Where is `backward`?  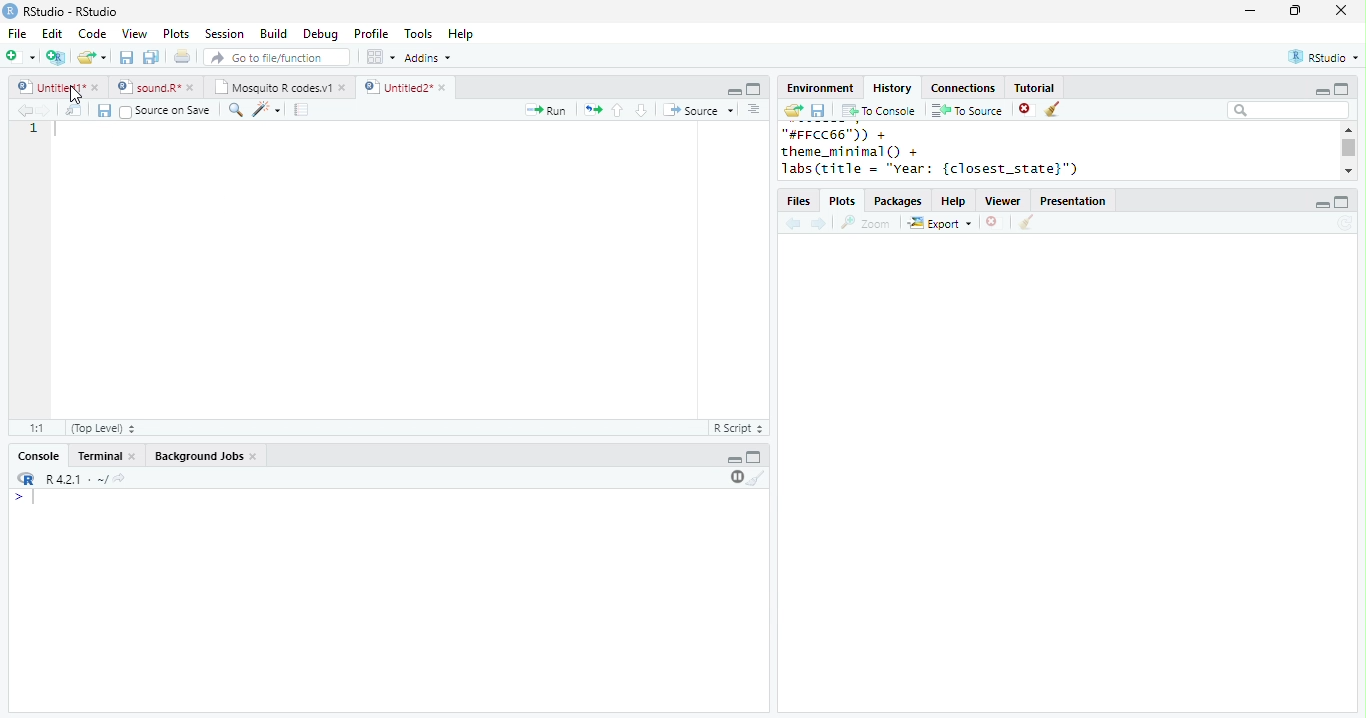 backward is located at coordinates (24, 110).